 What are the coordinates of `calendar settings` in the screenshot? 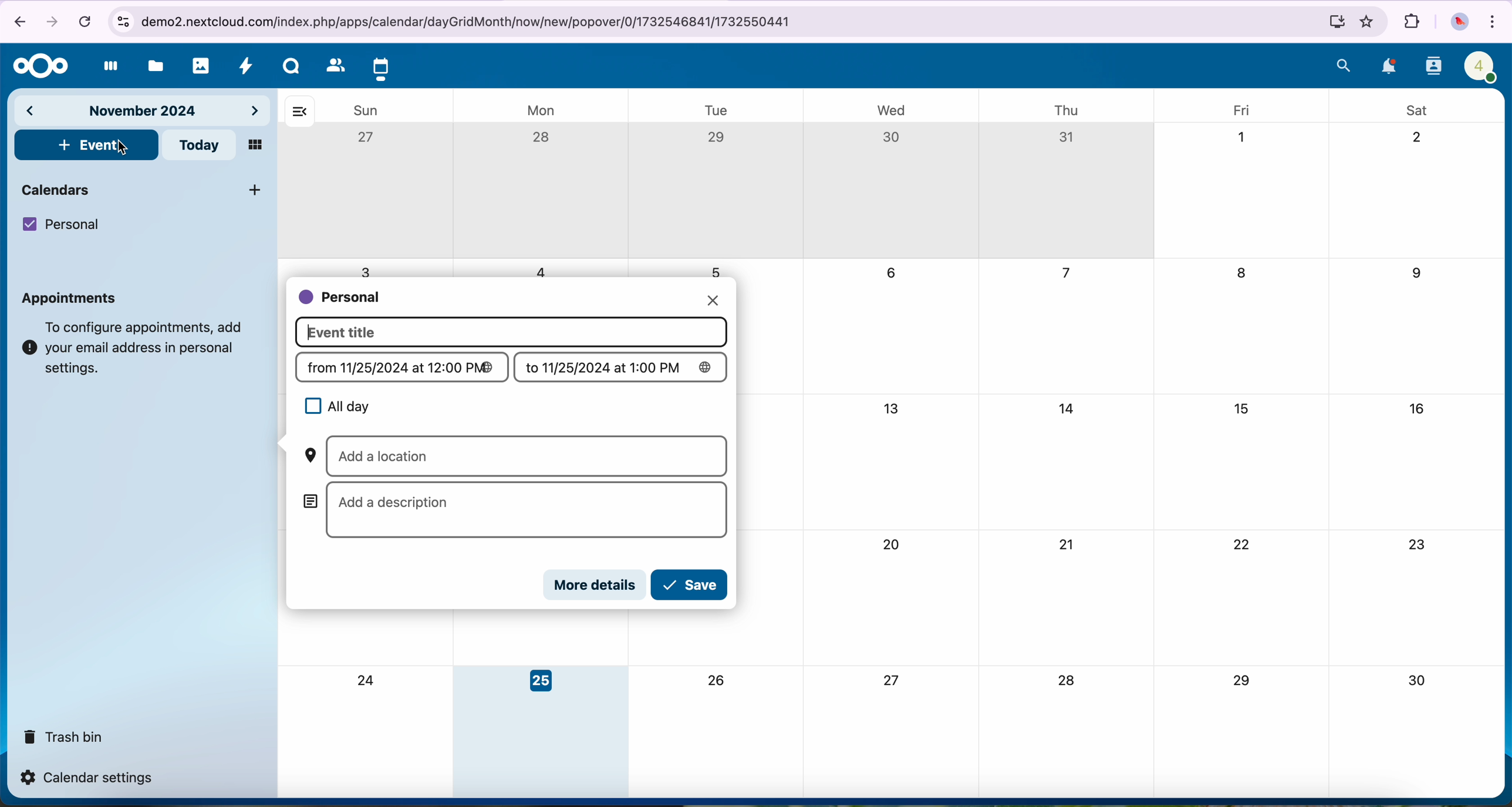 It's located at (90, 778).